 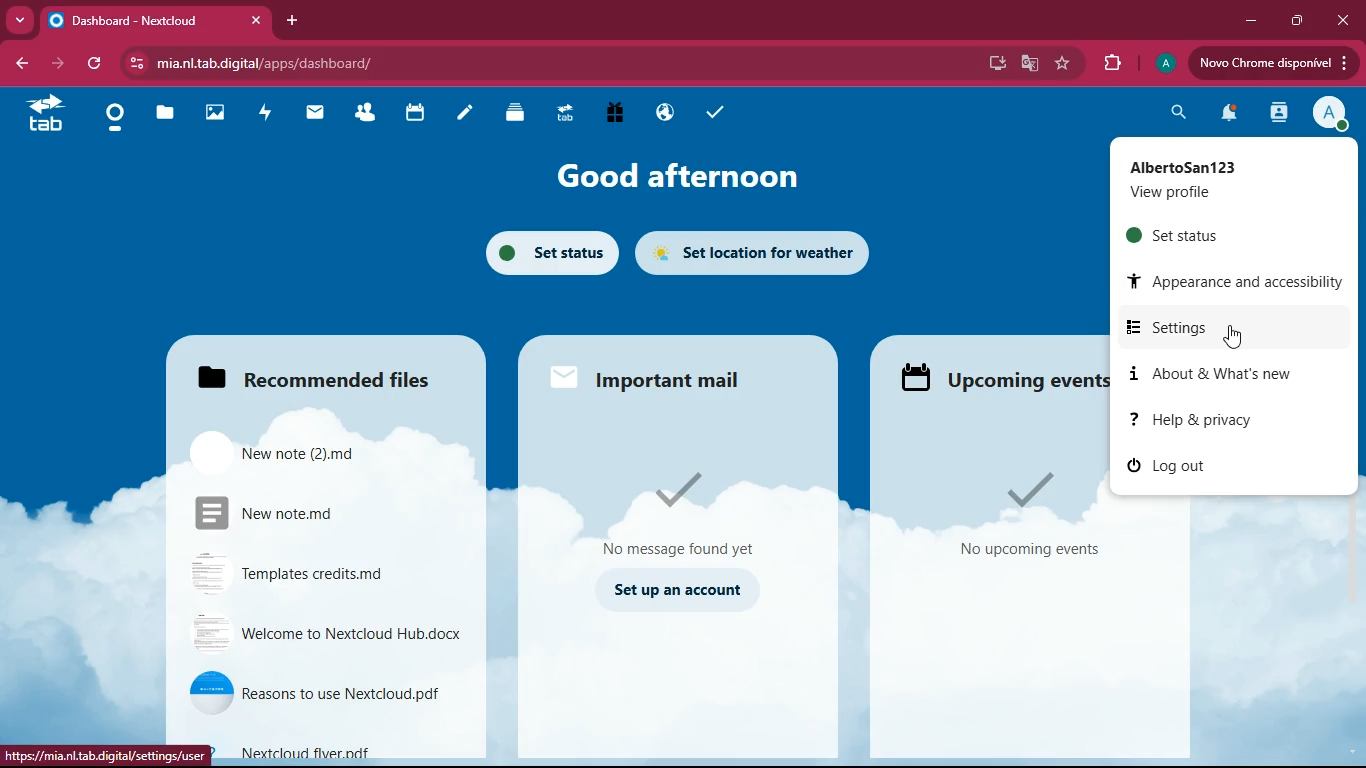 What do you see at coordinates (271, 117) in the screenshot?
I see `activity` at bounding box center [271, 117].